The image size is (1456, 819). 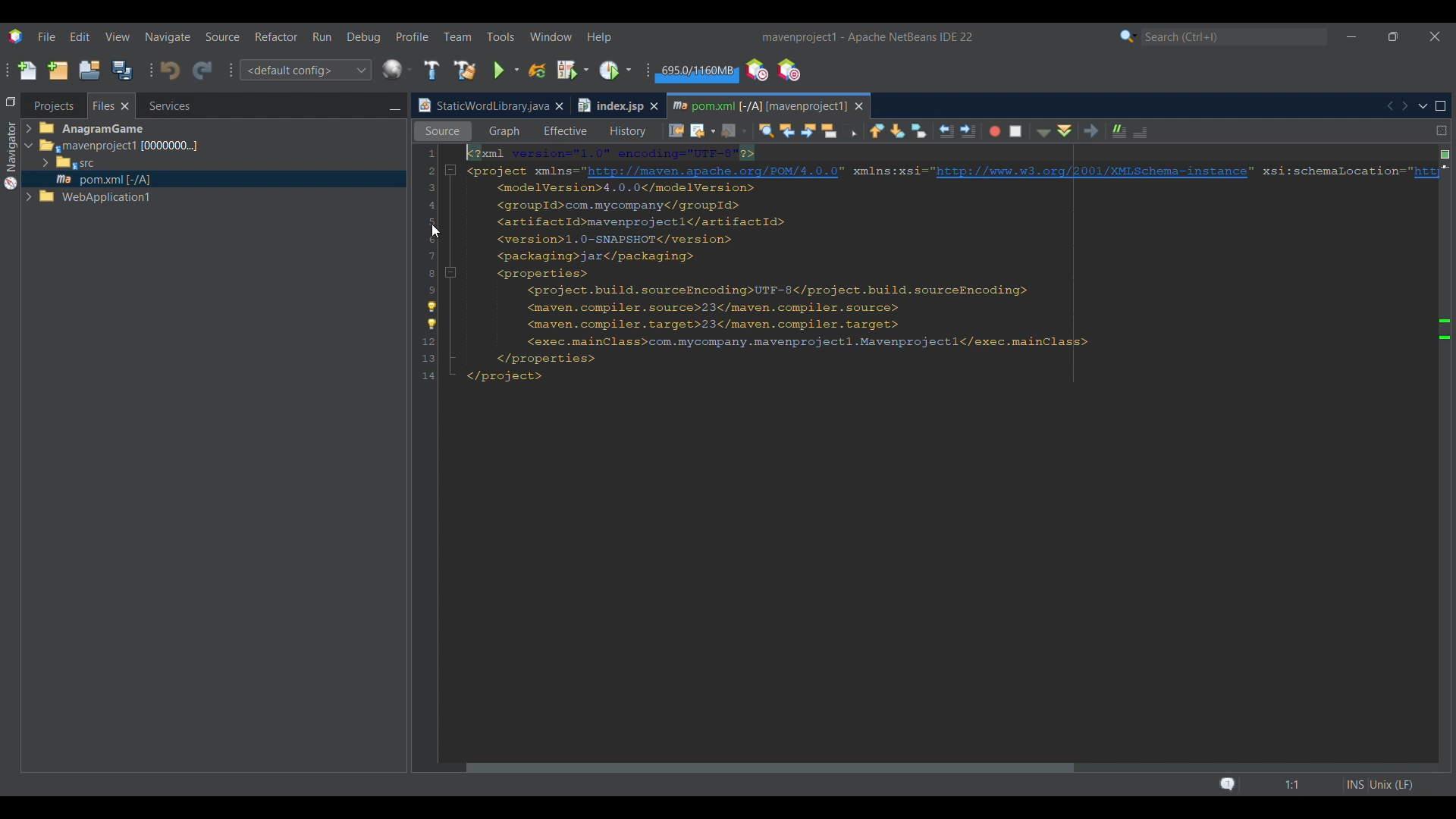 What do you see at coordinates (1393, 36) in the screenshot?
I see `Show in smaller tab` at bounding box center [1393, 36].